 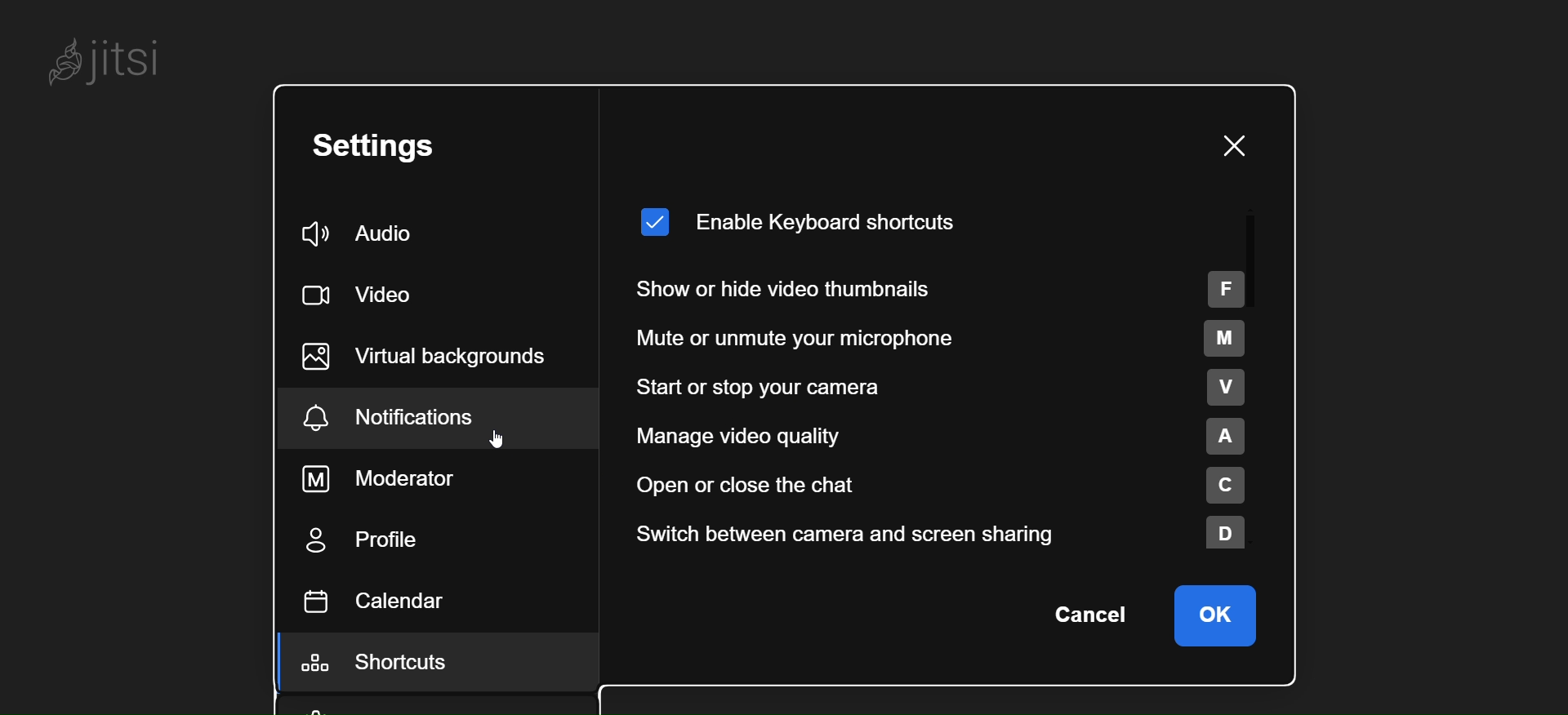 What do you see at coordinates (942, 335) in the screenshot?
I see `mute or unmute your microphone` at bounding box center [942, 335].